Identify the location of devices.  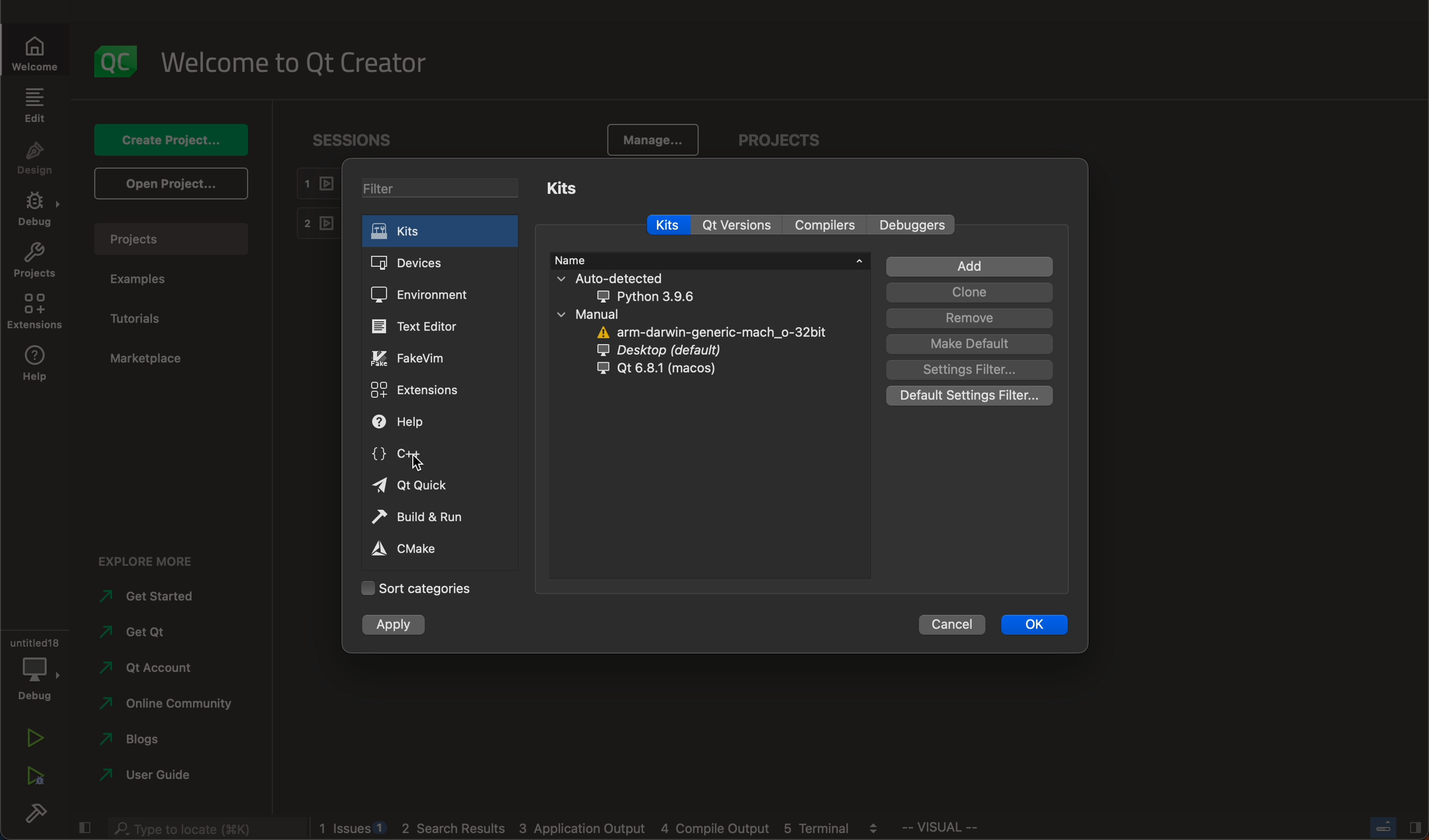
(421, 264).